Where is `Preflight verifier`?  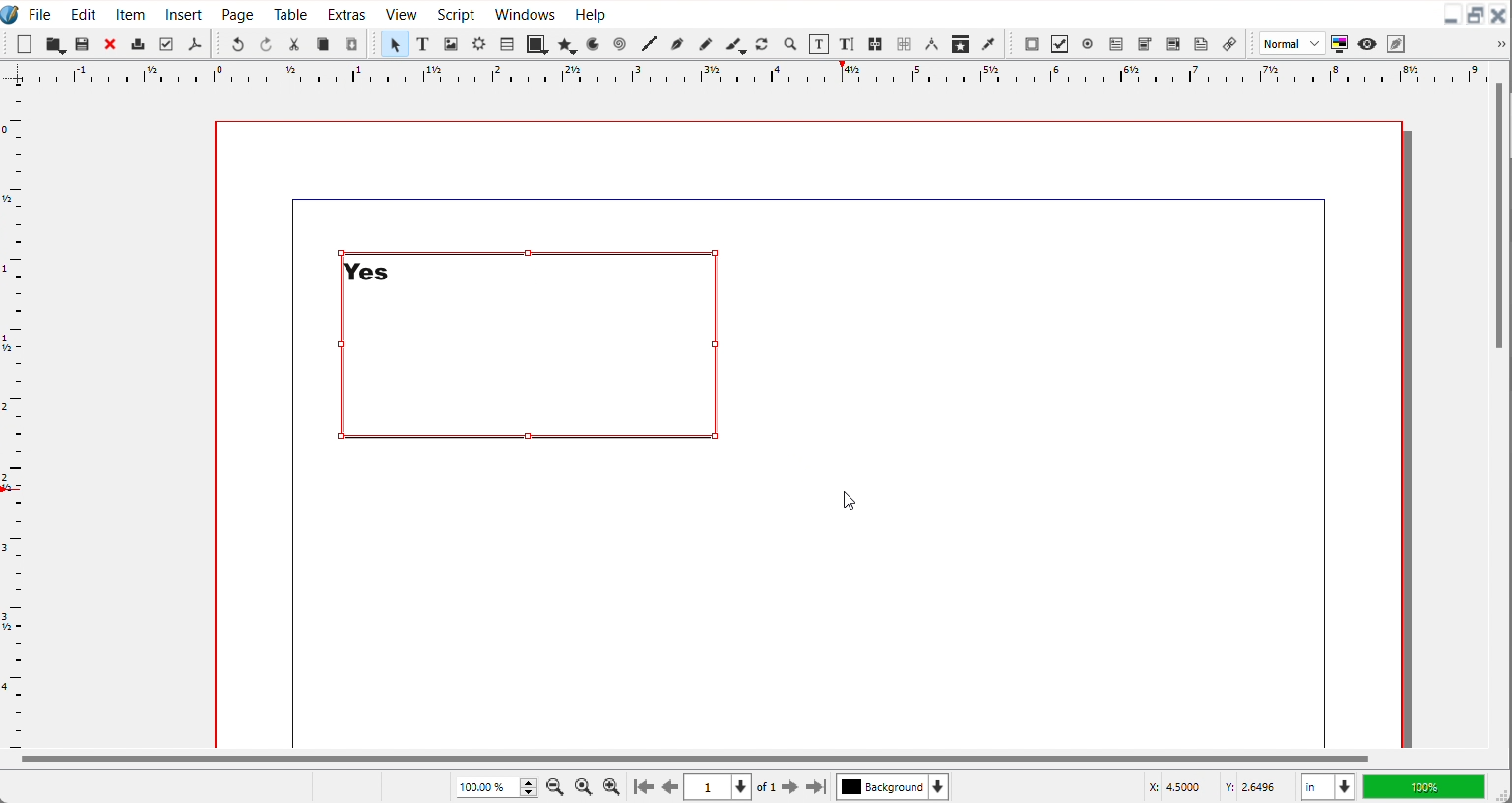
Preflight verifier is located at coordinates (165, 44).